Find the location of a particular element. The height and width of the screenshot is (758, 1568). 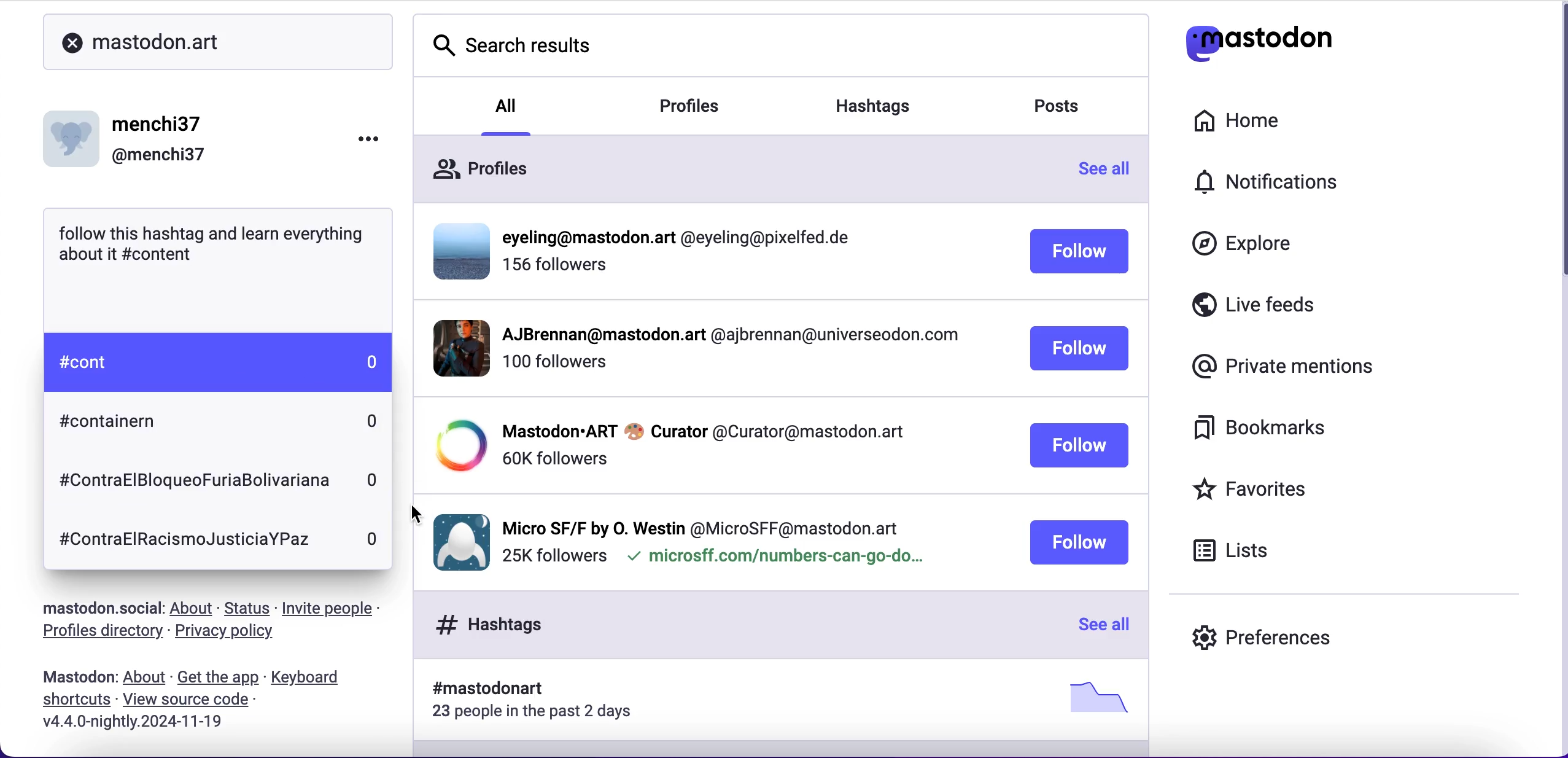

display picture is located at coordinates (456, 540).